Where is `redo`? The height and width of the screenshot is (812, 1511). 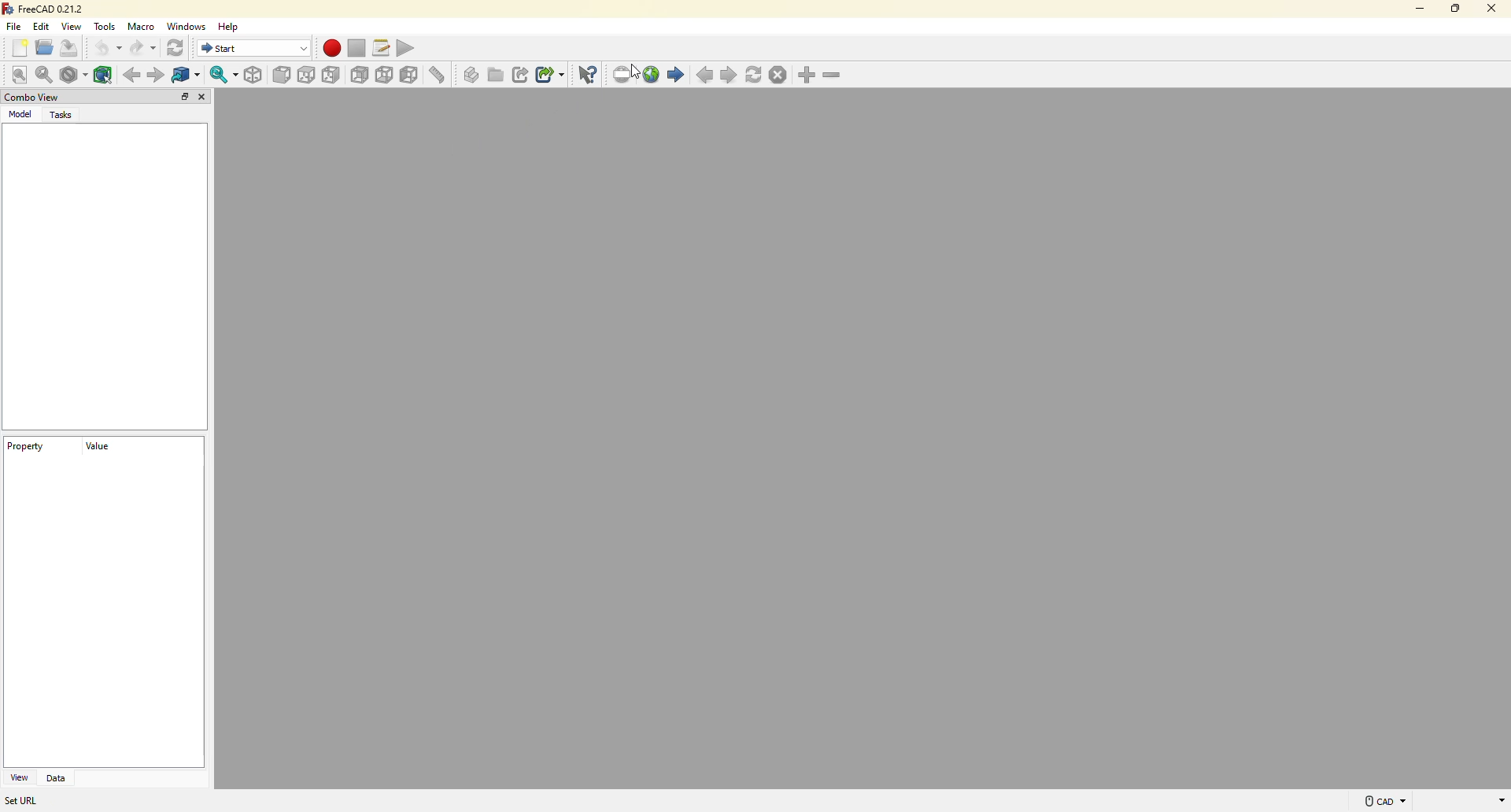
redo is located at coordinates (144, 50).